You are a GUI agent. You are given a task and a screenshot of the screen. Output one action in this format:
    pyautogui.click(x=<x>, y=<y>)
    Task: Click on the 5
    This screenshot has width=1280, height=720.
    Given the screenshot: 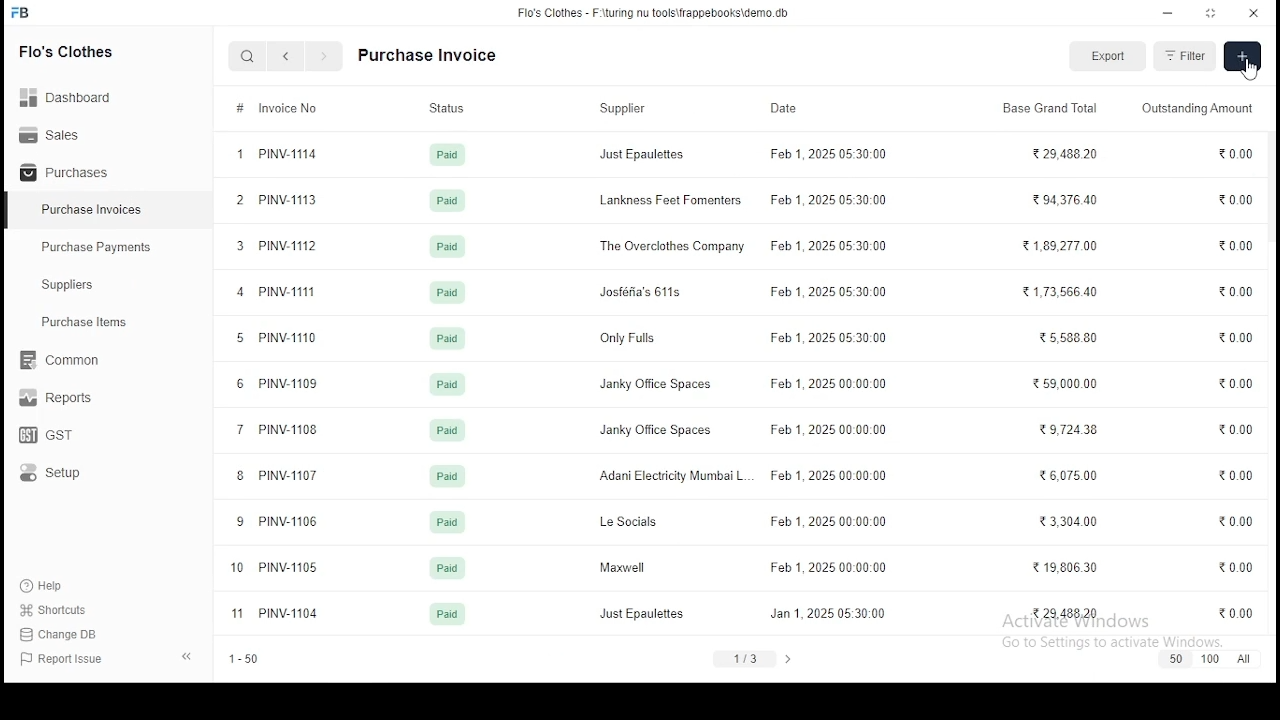 What is the action you would take?
    pyautogui.click(x=239, y=339)
    